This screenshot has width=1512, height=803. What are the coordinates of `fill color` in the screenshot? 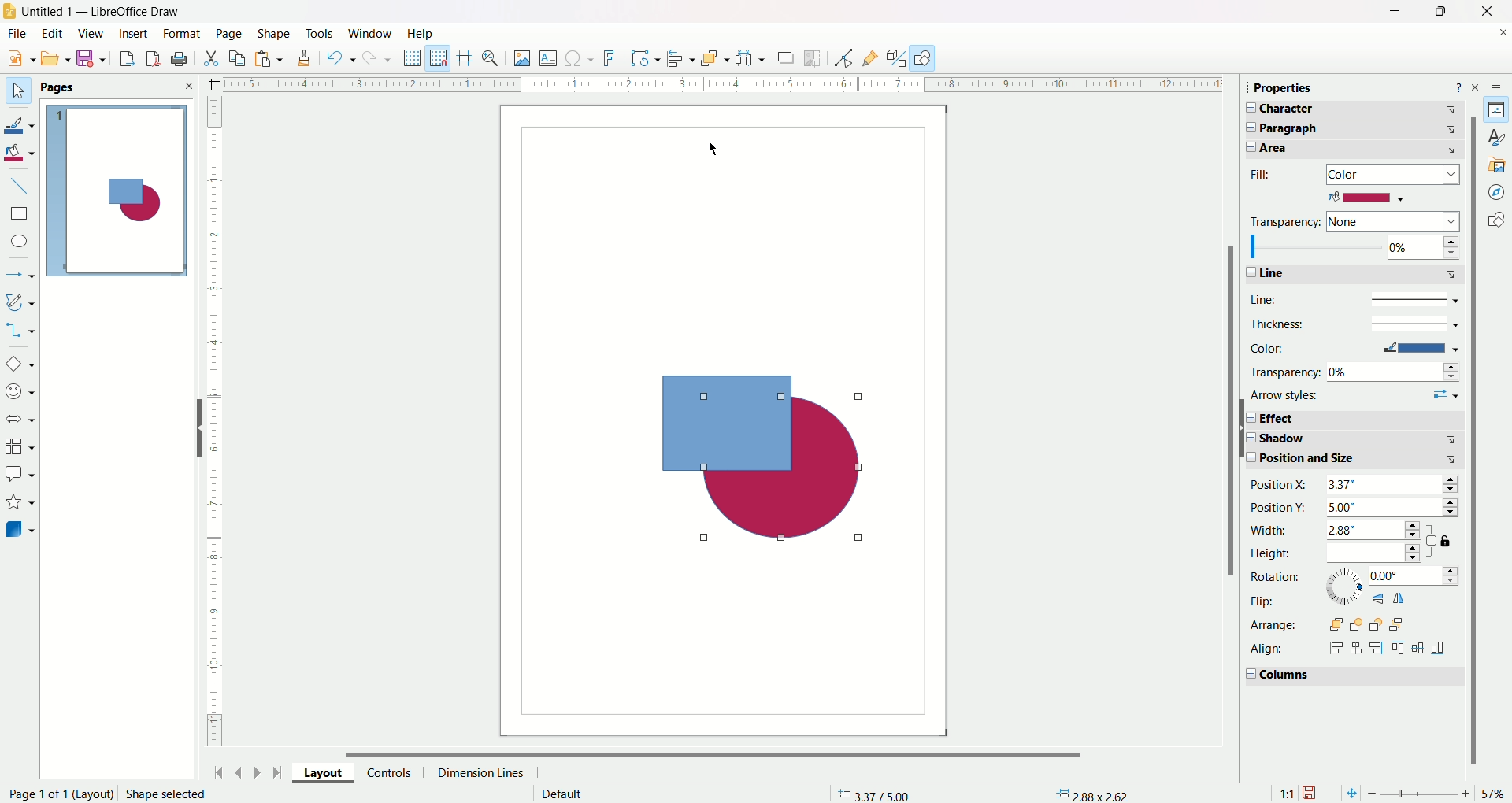 It's located at (22, 152).